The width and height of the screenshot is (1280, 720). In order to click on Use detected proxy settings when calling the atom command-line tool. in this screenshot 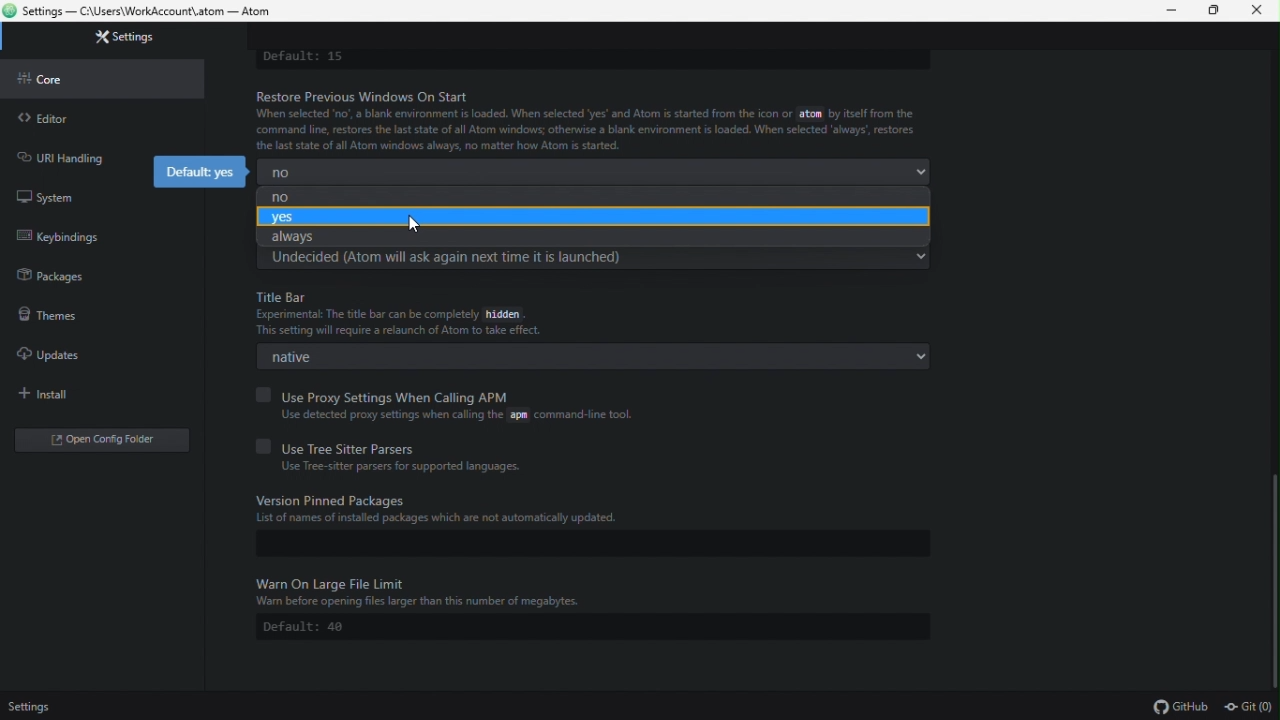, I will do `click(447, 415)`.